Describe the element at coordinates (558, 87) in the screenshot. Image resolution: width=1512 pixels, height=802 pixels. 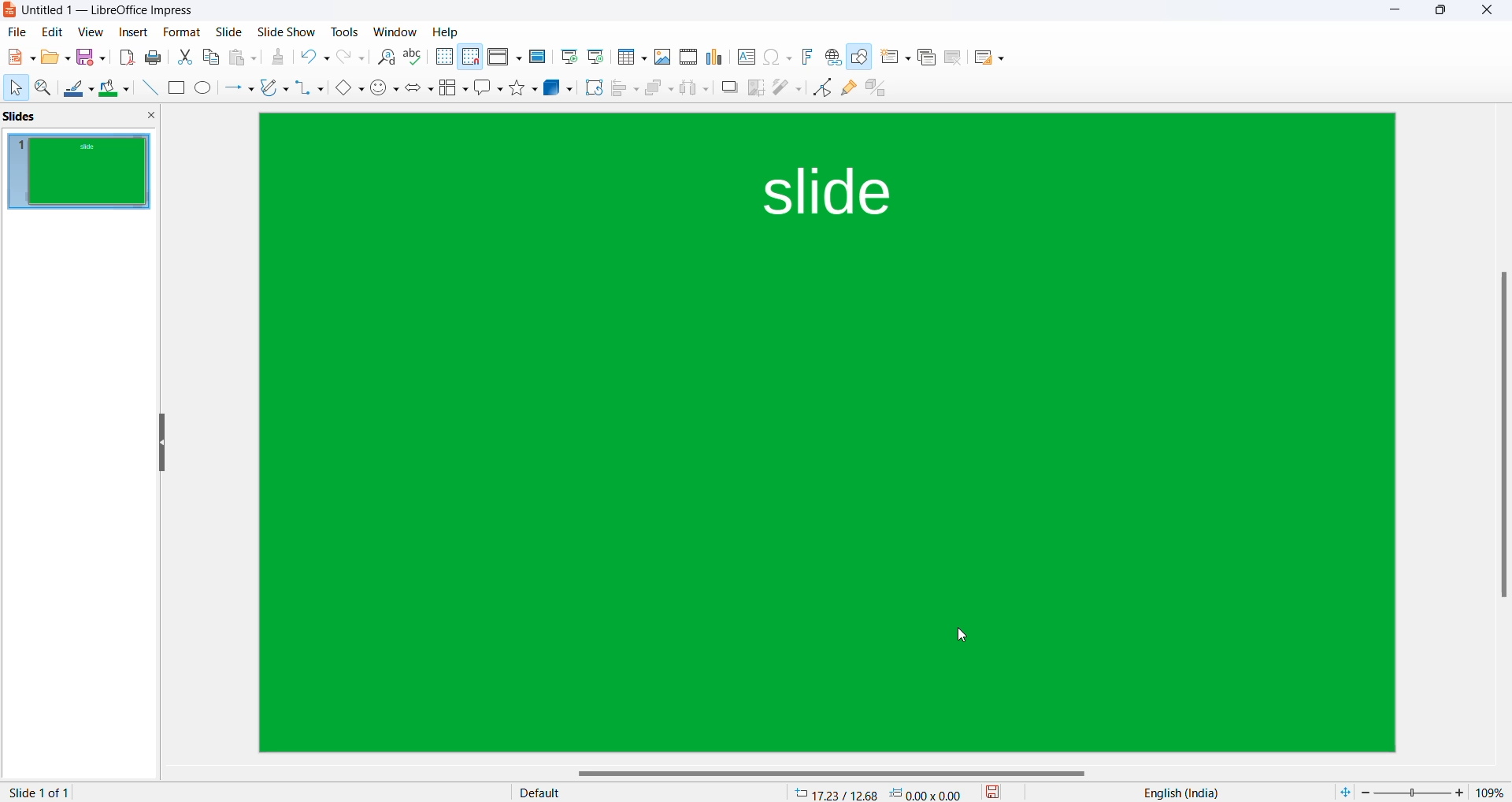
I see `3d objects` at that location.